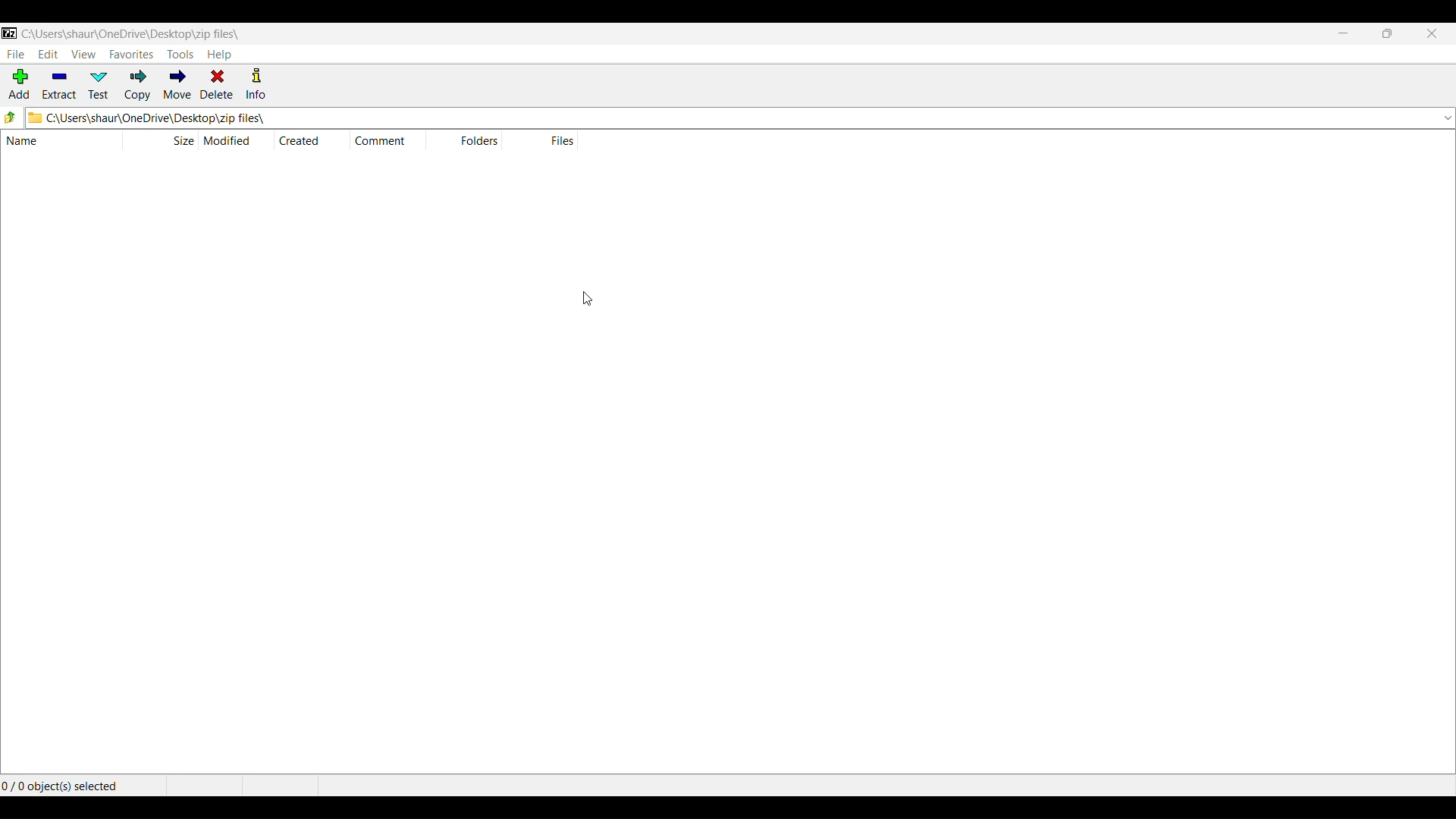 This screenshot has width=1456, height=819. What do you see at coordinates (231, 140) in the screenshot?
I see `MODIFIED` at bounding box center [231, 140].